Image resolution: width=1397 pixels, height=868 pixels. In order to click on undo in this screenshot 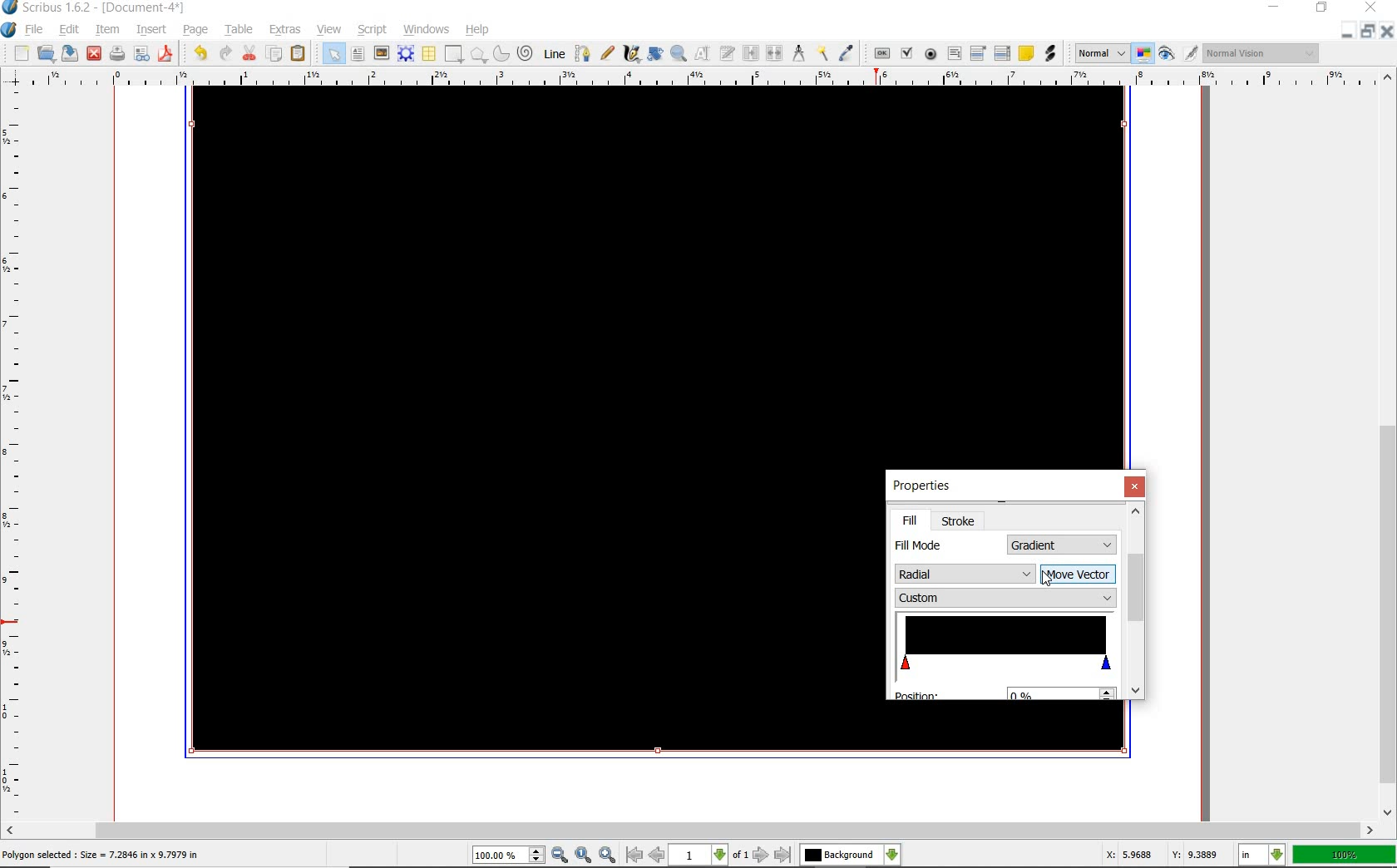, I will do `click(198, 53)`.